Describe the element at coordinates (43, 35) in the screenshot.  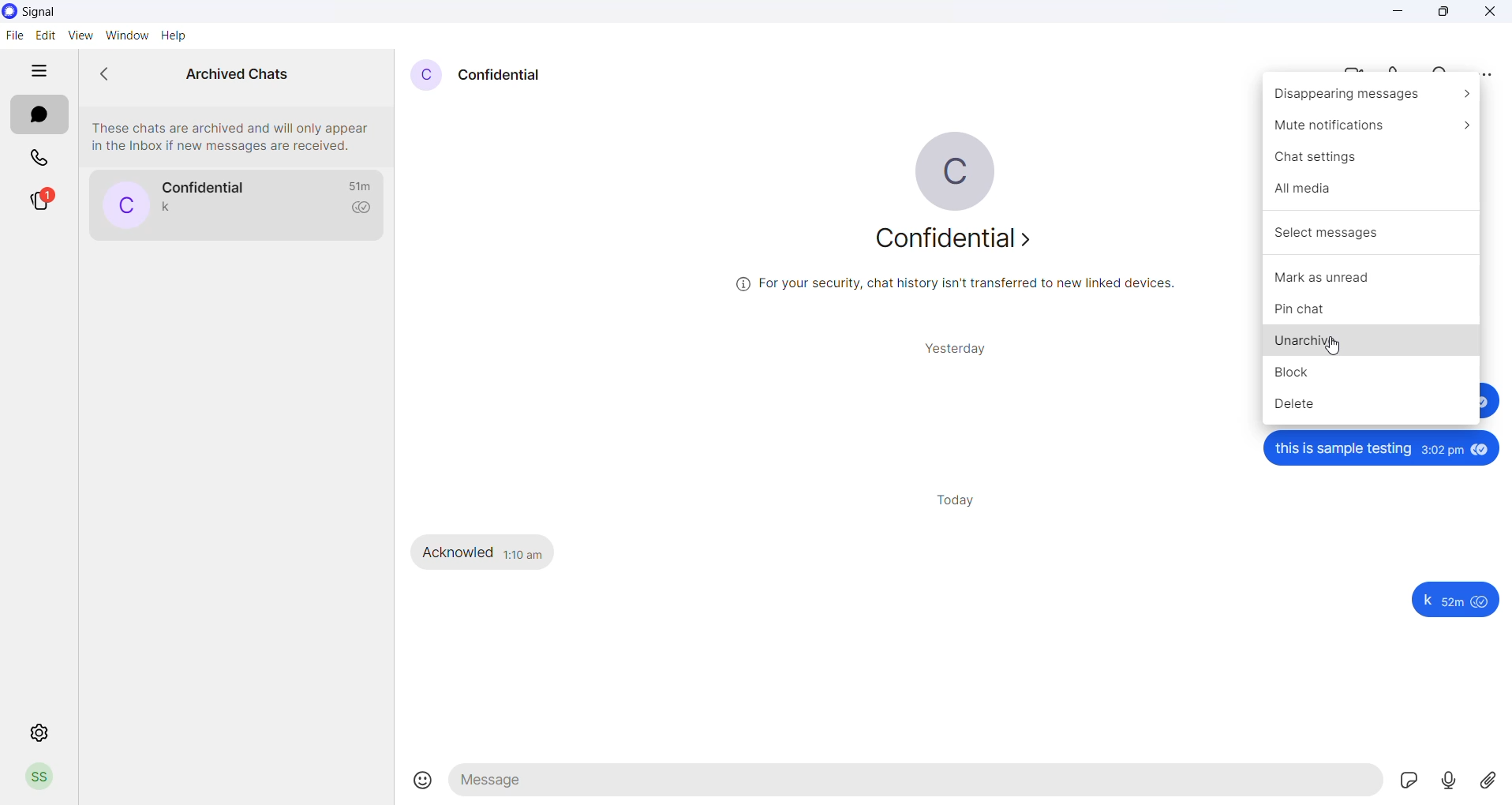
I see `edit` at that location.